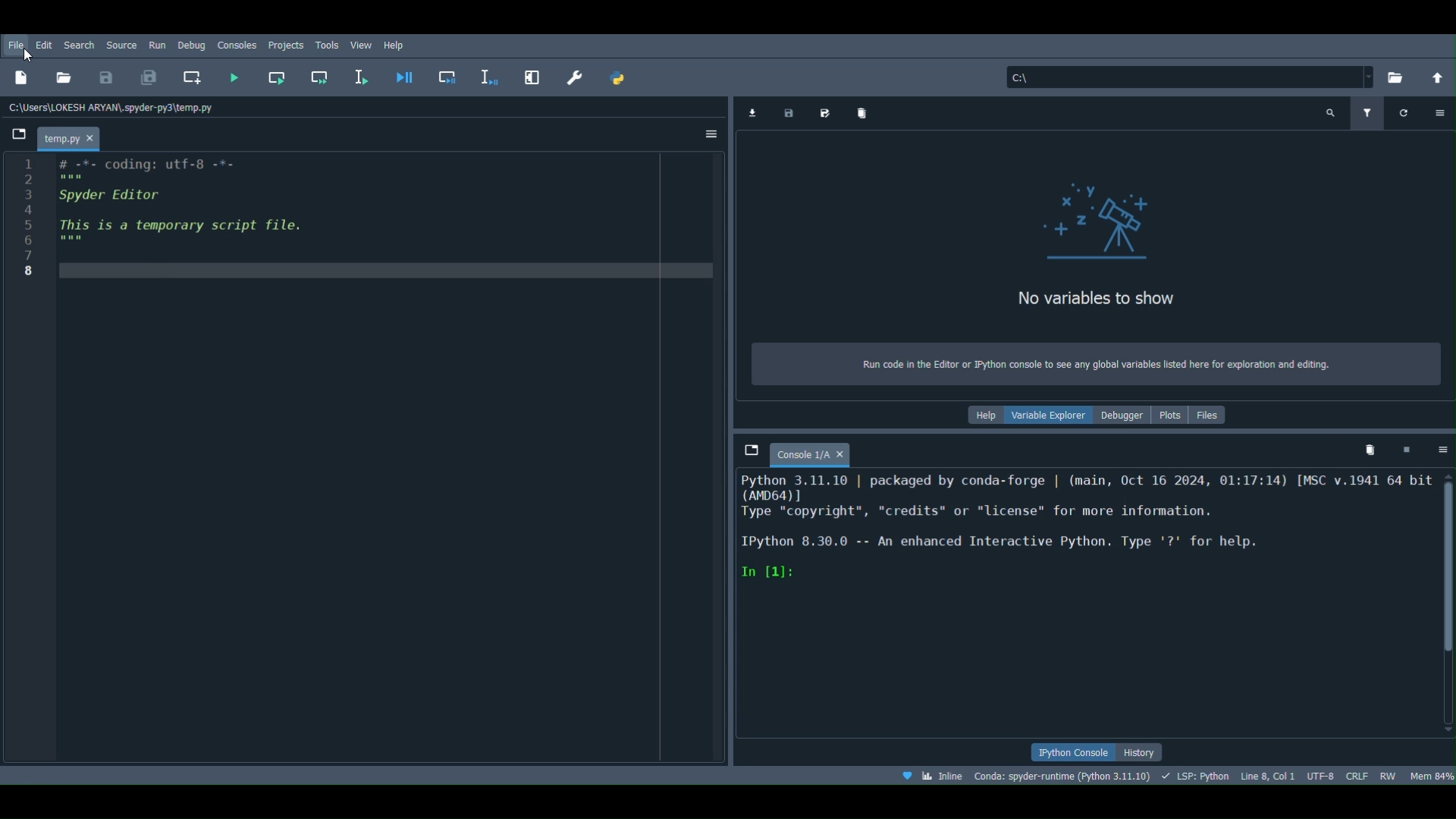  Describe the element at coordinates (1196, 777) in the screenshot. I see `Completions, linting, code folding and symbols status` at that location.